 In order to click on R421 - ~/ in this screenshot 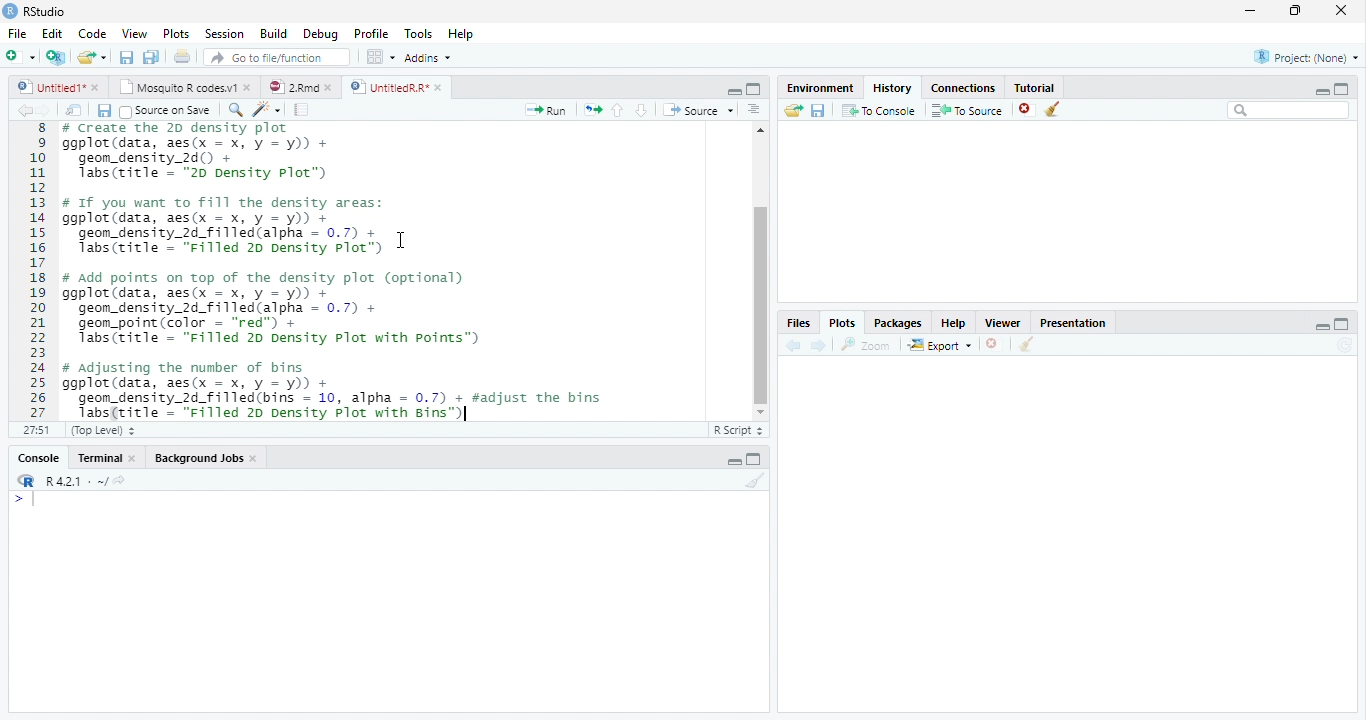, I will do `click(70, 481)`.